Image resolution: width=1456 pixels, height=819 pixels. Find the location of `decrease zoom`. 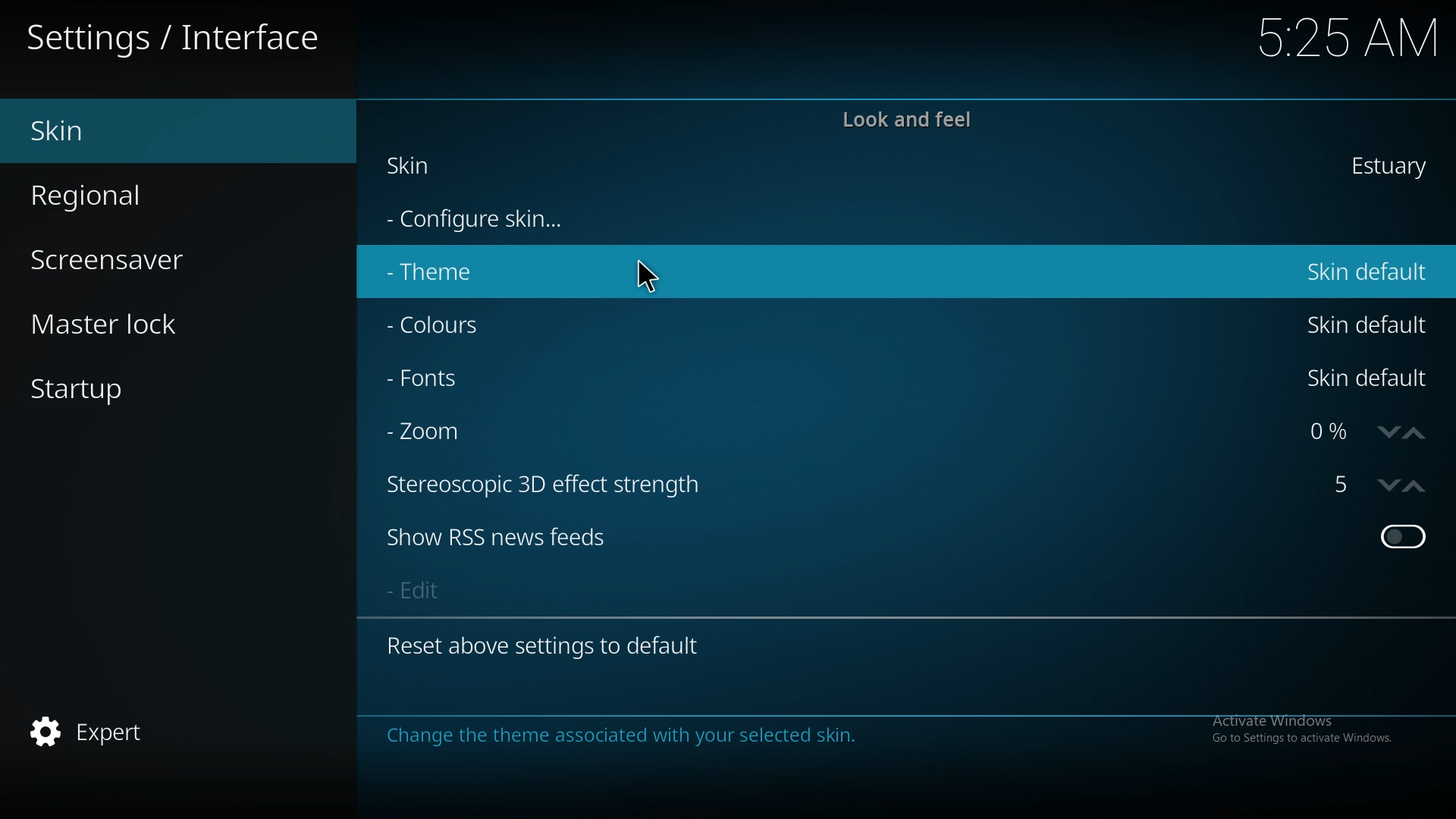

decrease zoom is located at coordinates (1388, 430).